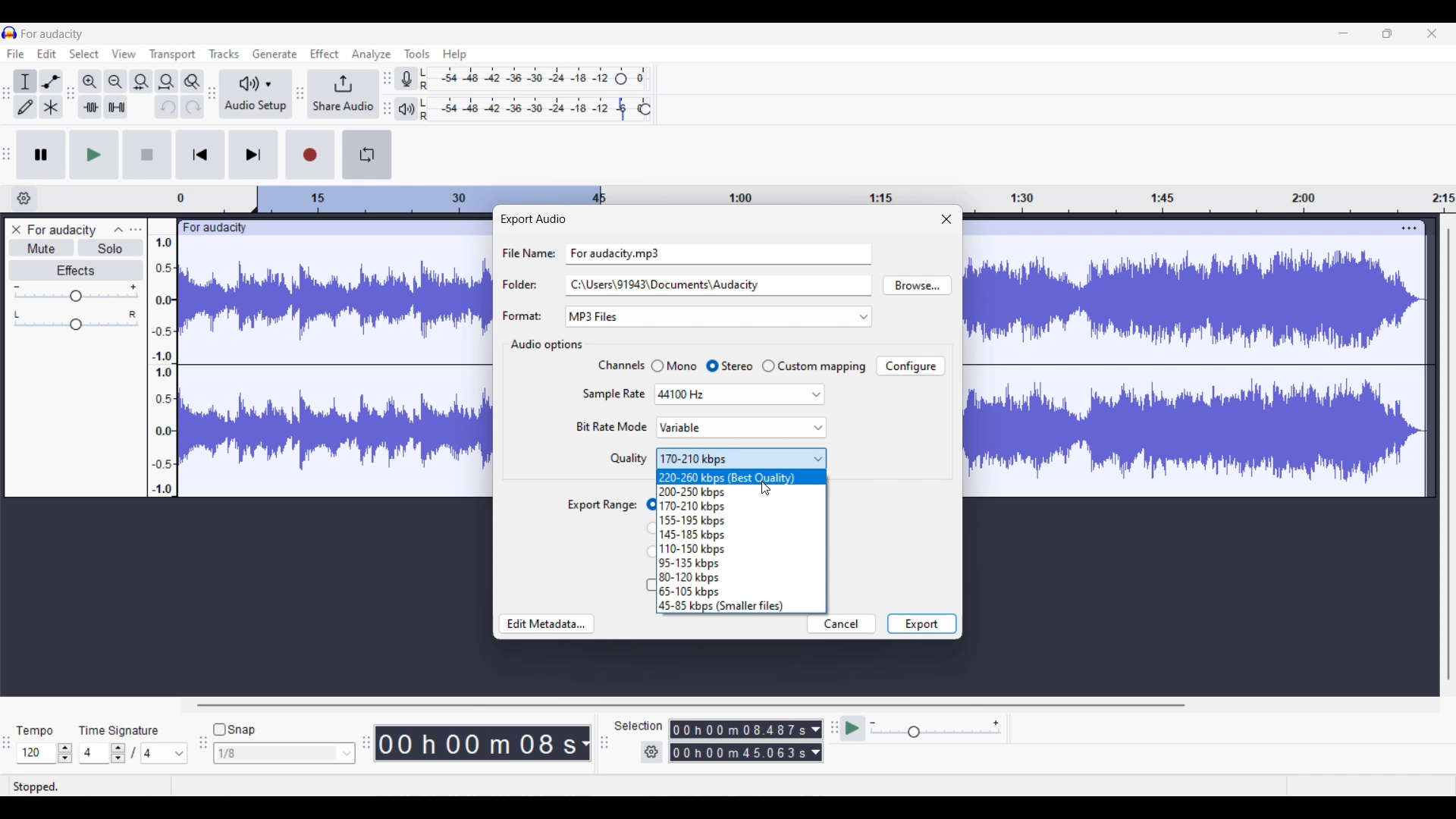 The height and width of the screenshot is (819, 1456). I want to click on Software logo, so click(10, 33).